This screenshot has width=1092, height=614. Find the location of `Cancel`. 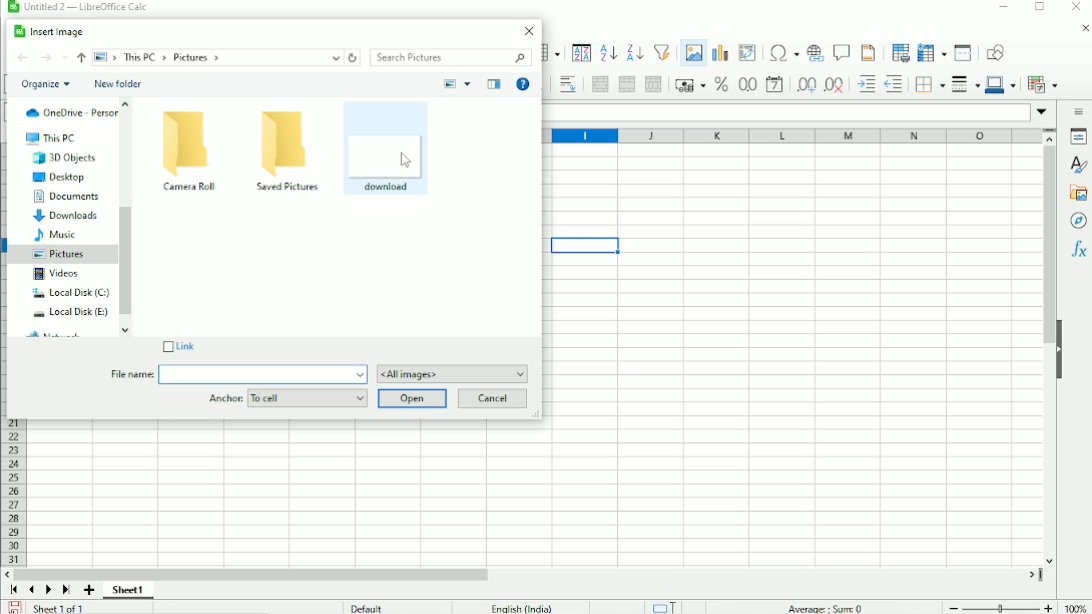

Cancel is located at coordinates (494, 399).